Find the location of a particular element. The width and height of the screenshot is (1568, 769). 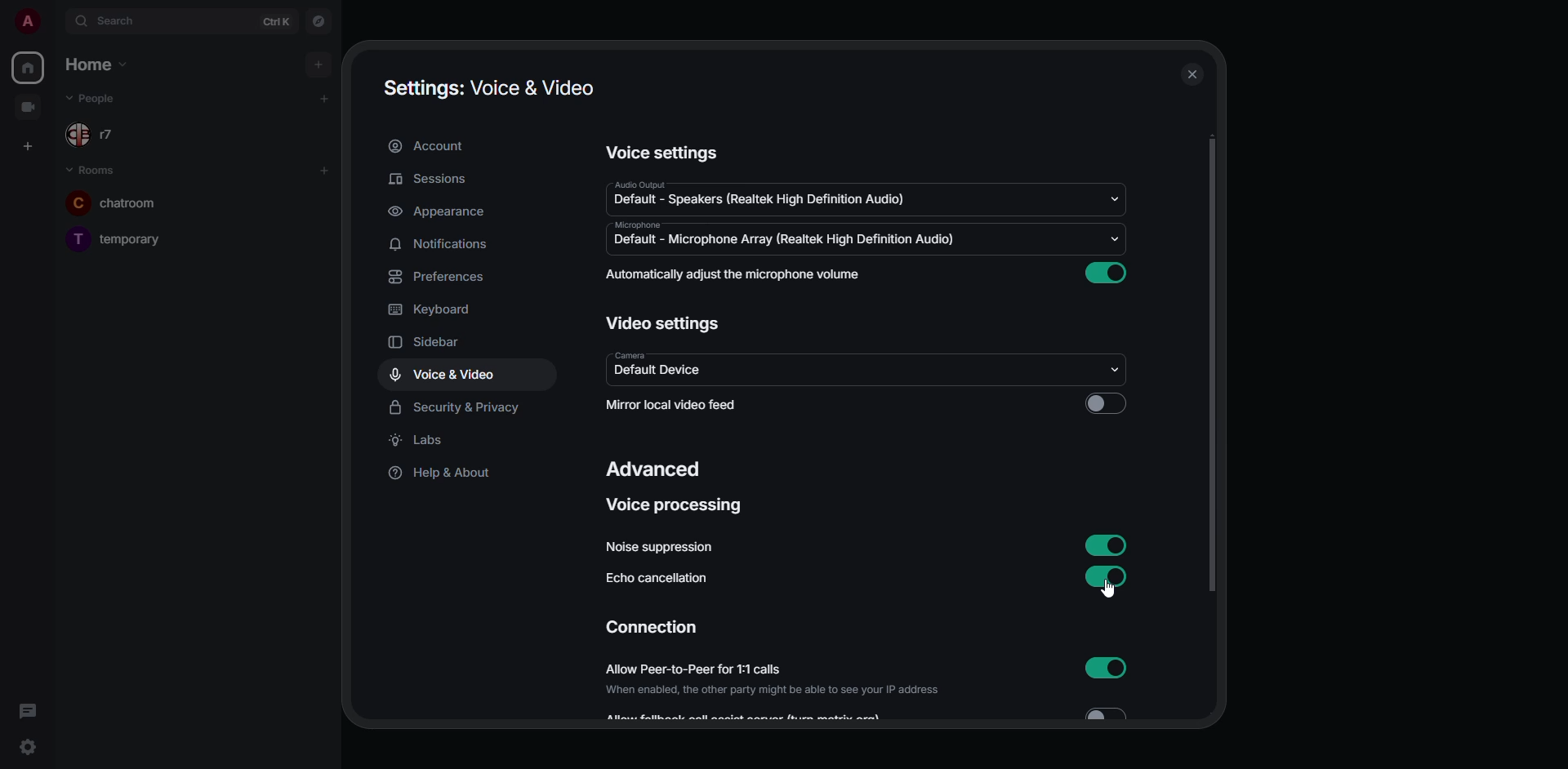

drop down is located at coordinates (1113, 238).